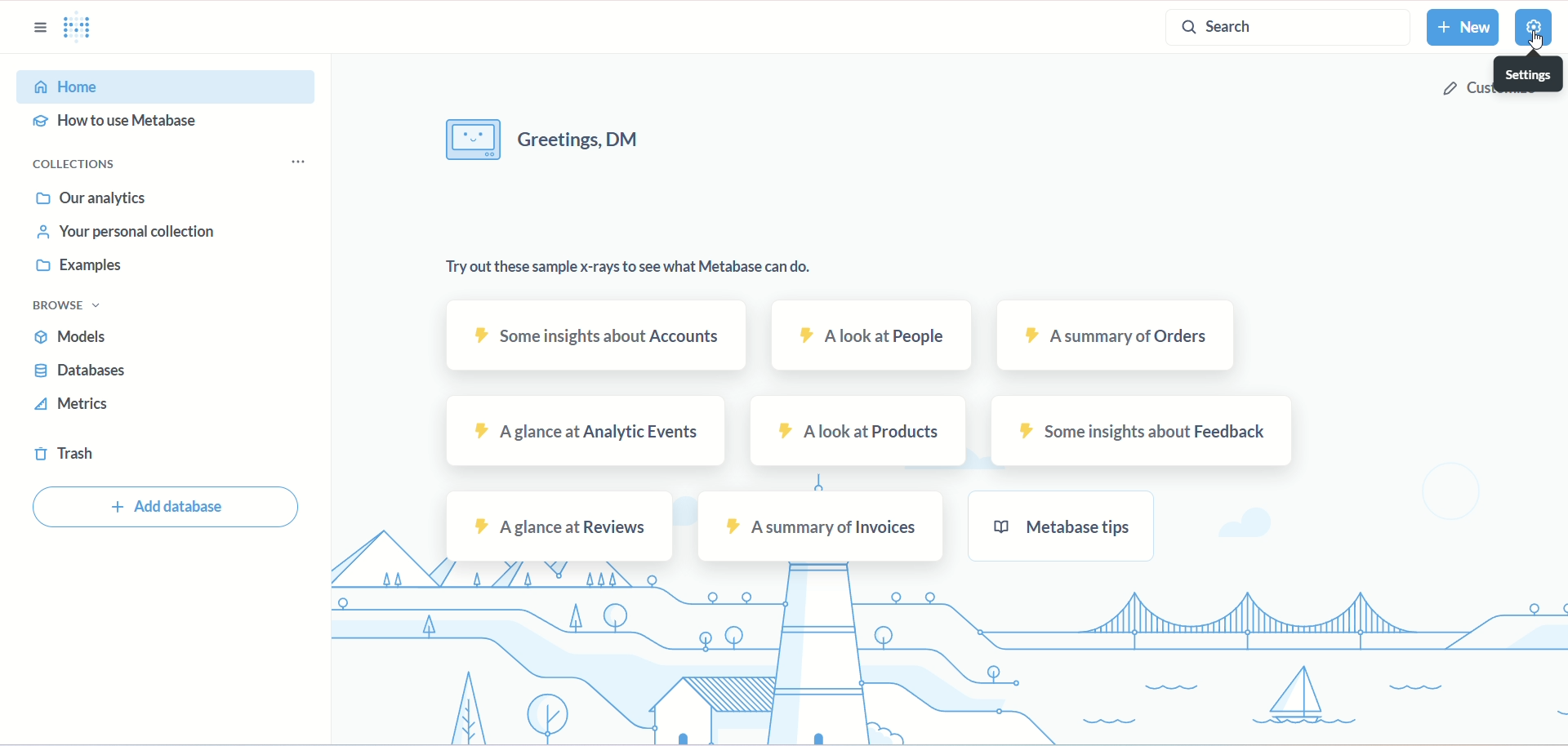 This screenshot has height=746, width=1568. Describe the element at coordinates (78, 29) in the screenshot. I see `logo` at that location.